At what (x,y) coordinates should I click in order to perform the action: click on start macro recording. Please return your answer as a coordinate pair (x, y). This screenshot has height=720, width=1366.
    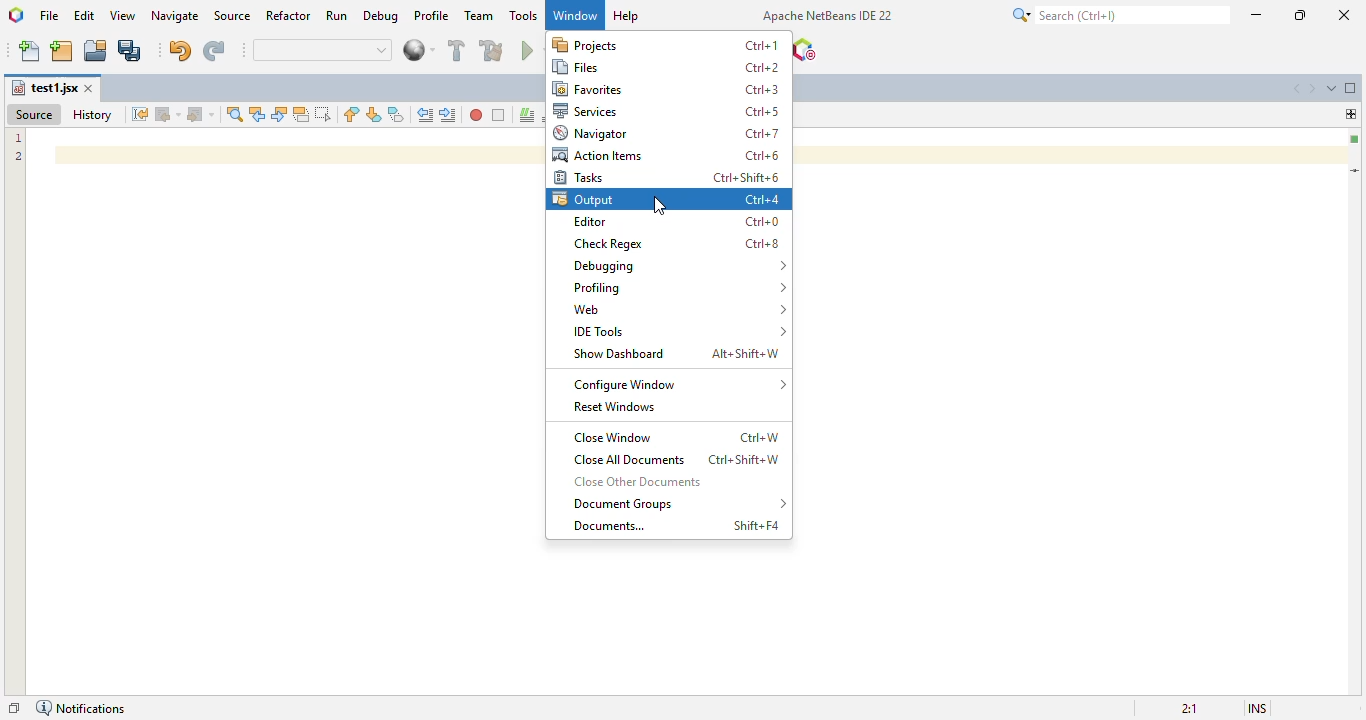
    Looking at the image, I should click on (476, 115).